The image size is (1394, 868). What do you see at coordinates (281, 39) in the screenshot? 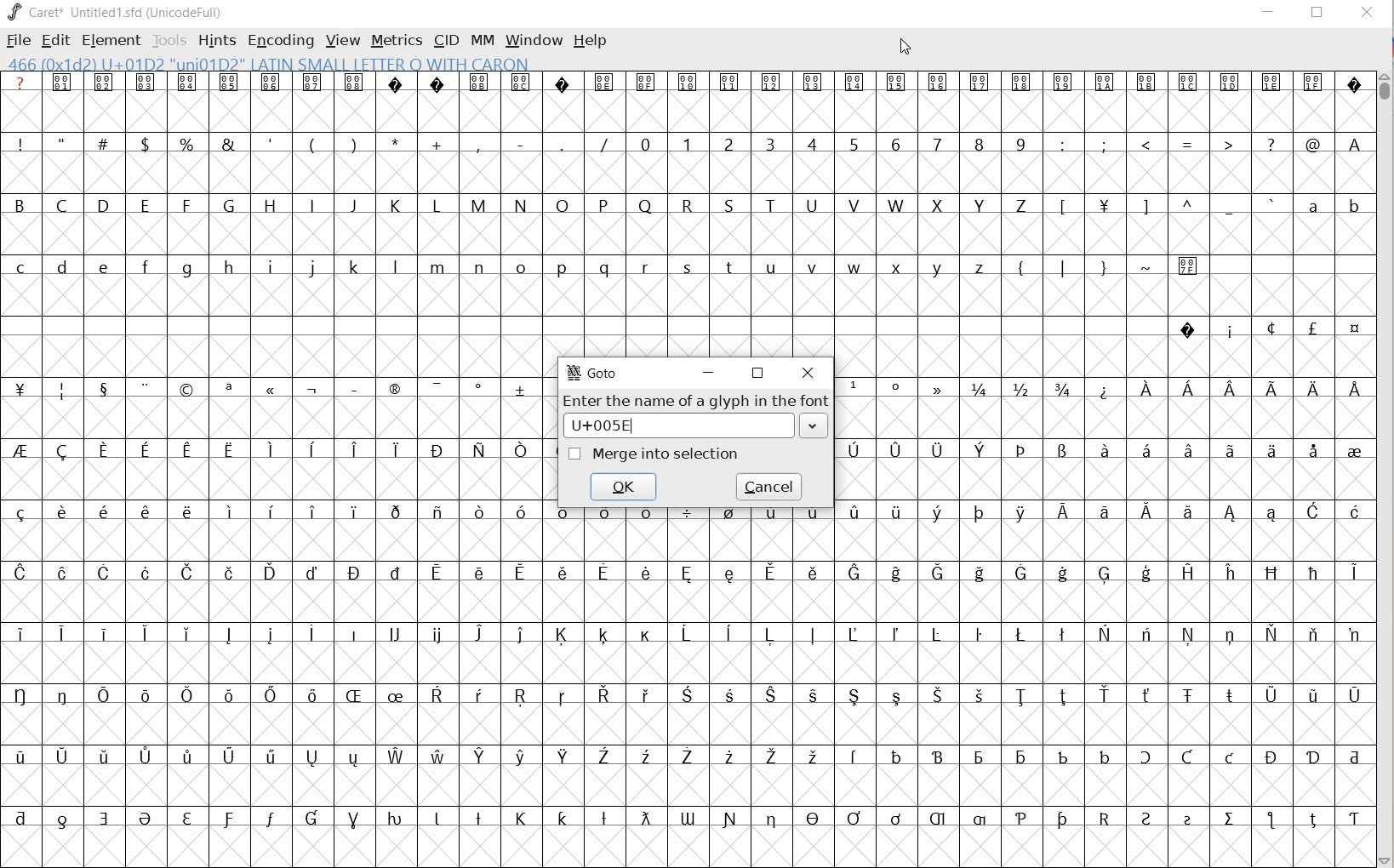
I see `ENCODING` at bounding box center [281, 39].